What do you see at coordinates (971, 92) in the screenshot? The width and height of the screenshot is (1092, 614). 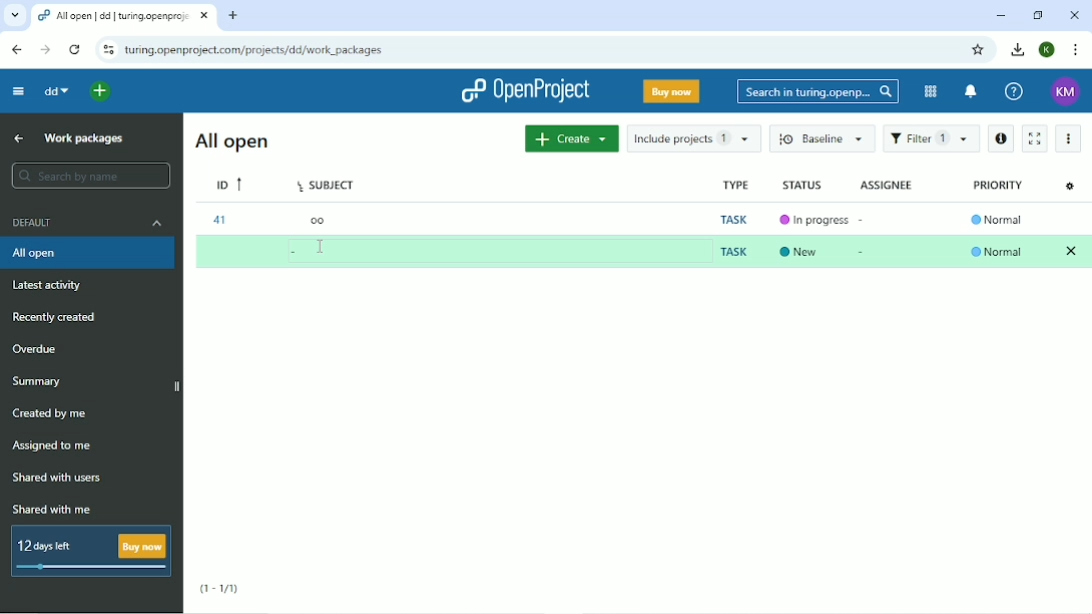 I see `To notification center` at bounding box center [971, 92].